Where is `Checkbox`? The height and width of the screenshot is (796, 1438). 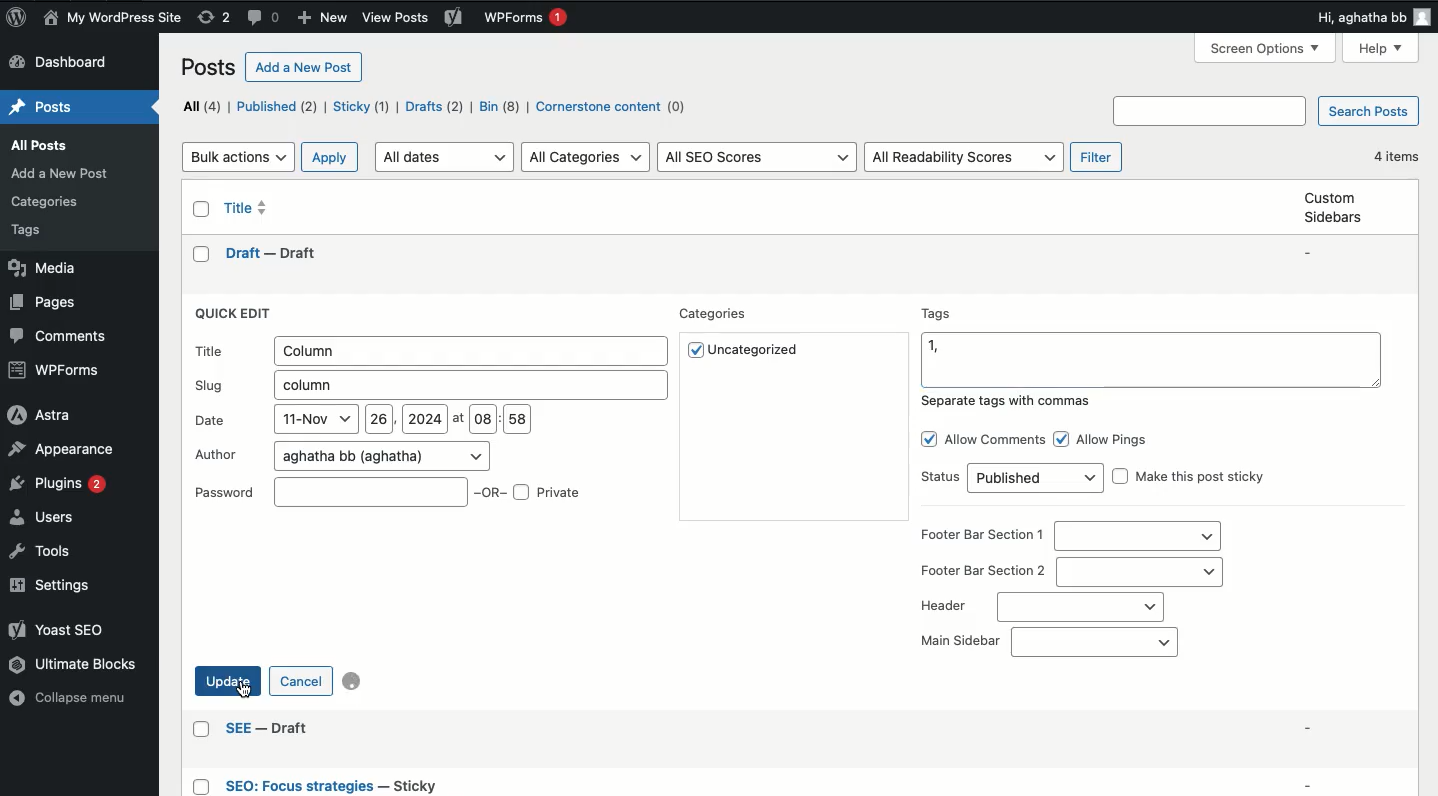 Checkbox is located at coordinates (200, 208).